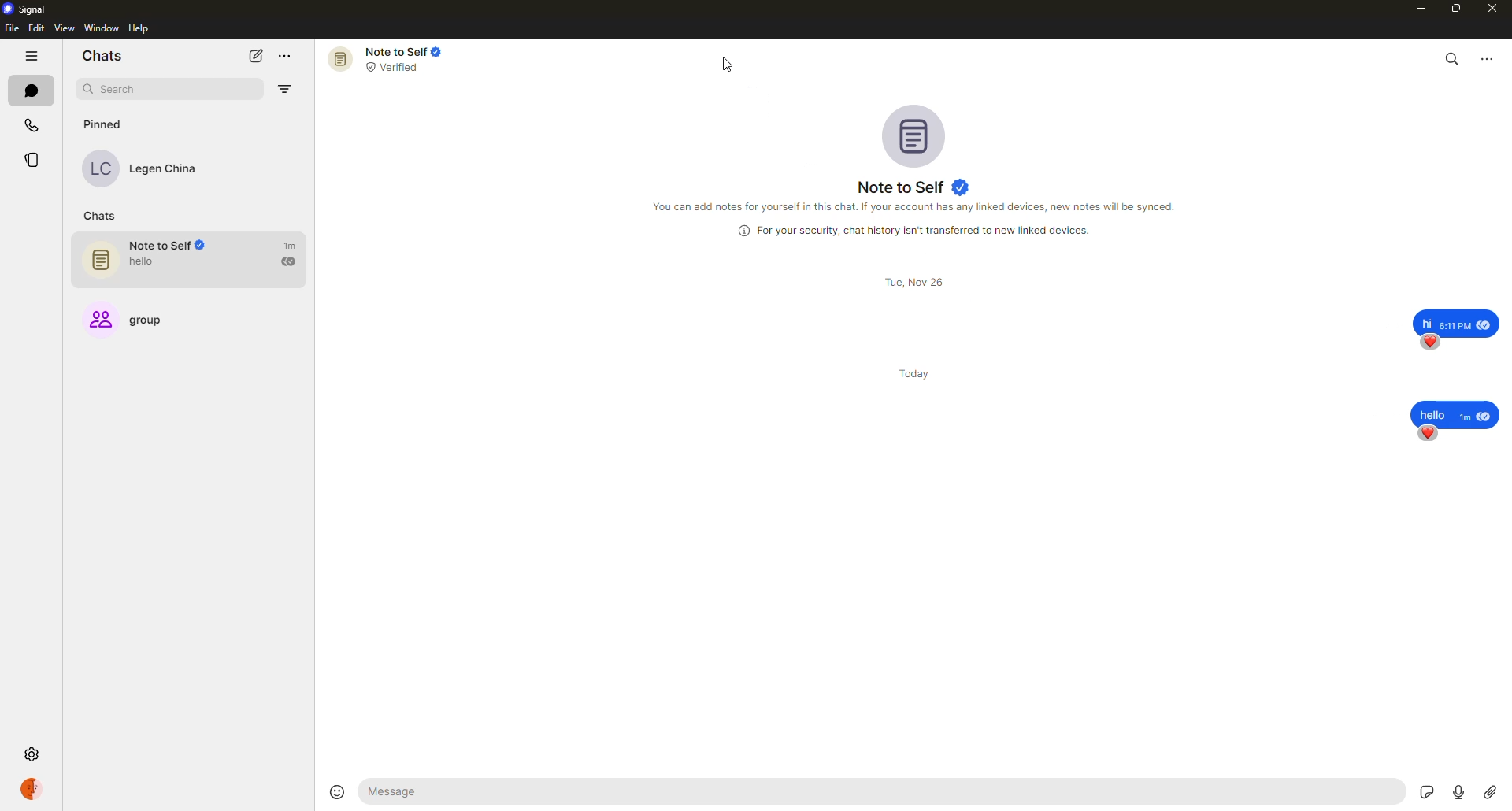 This screenshot has height=811, width=1512. What do you see at coordinates (102, 124) in the screenshot?
I see `pinned` at bounding box center [102, 124].